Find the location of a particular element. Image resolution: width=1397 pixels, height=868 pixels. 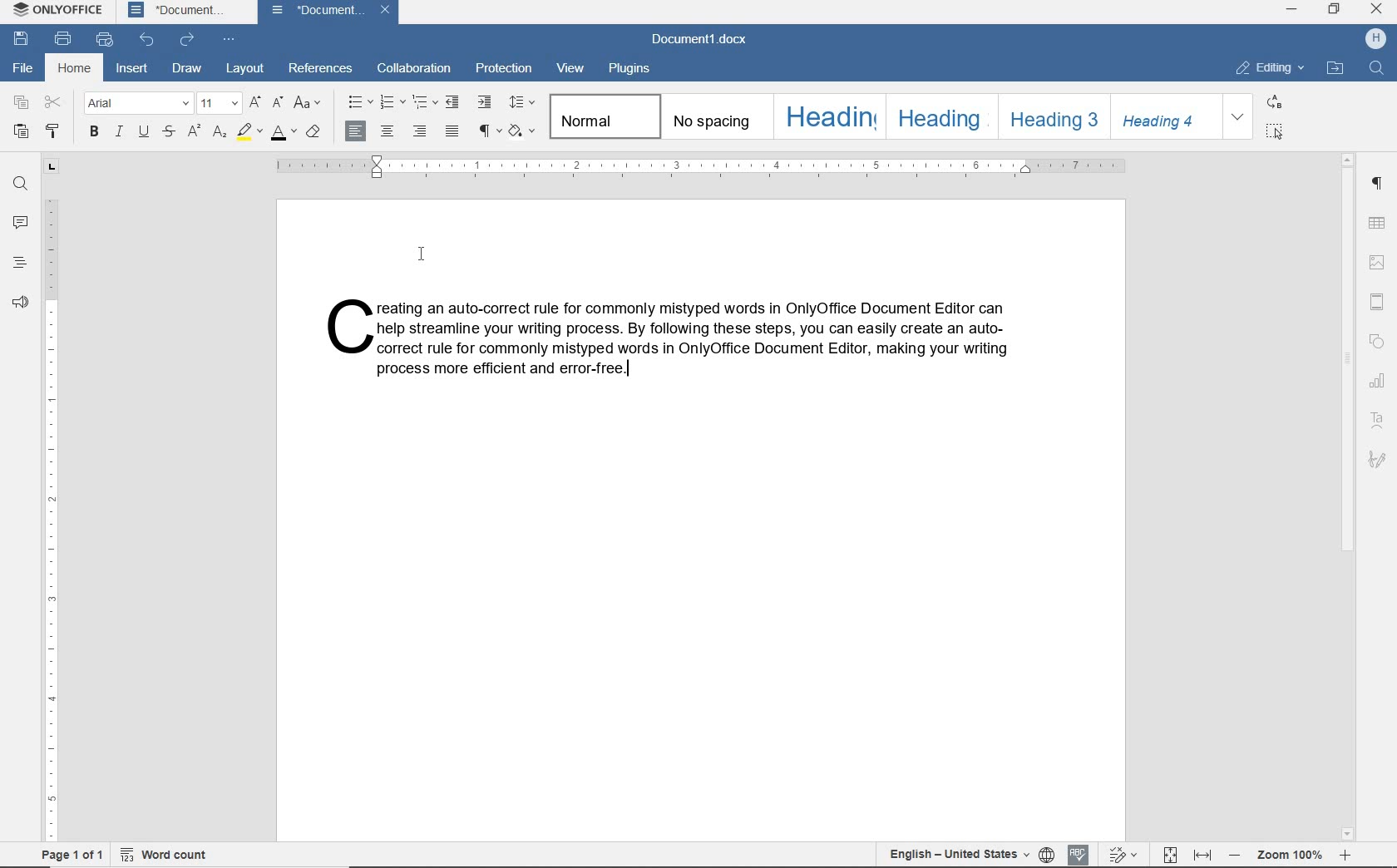

NONPRINTING CHARACTERS is located at coordinates (489, 131).